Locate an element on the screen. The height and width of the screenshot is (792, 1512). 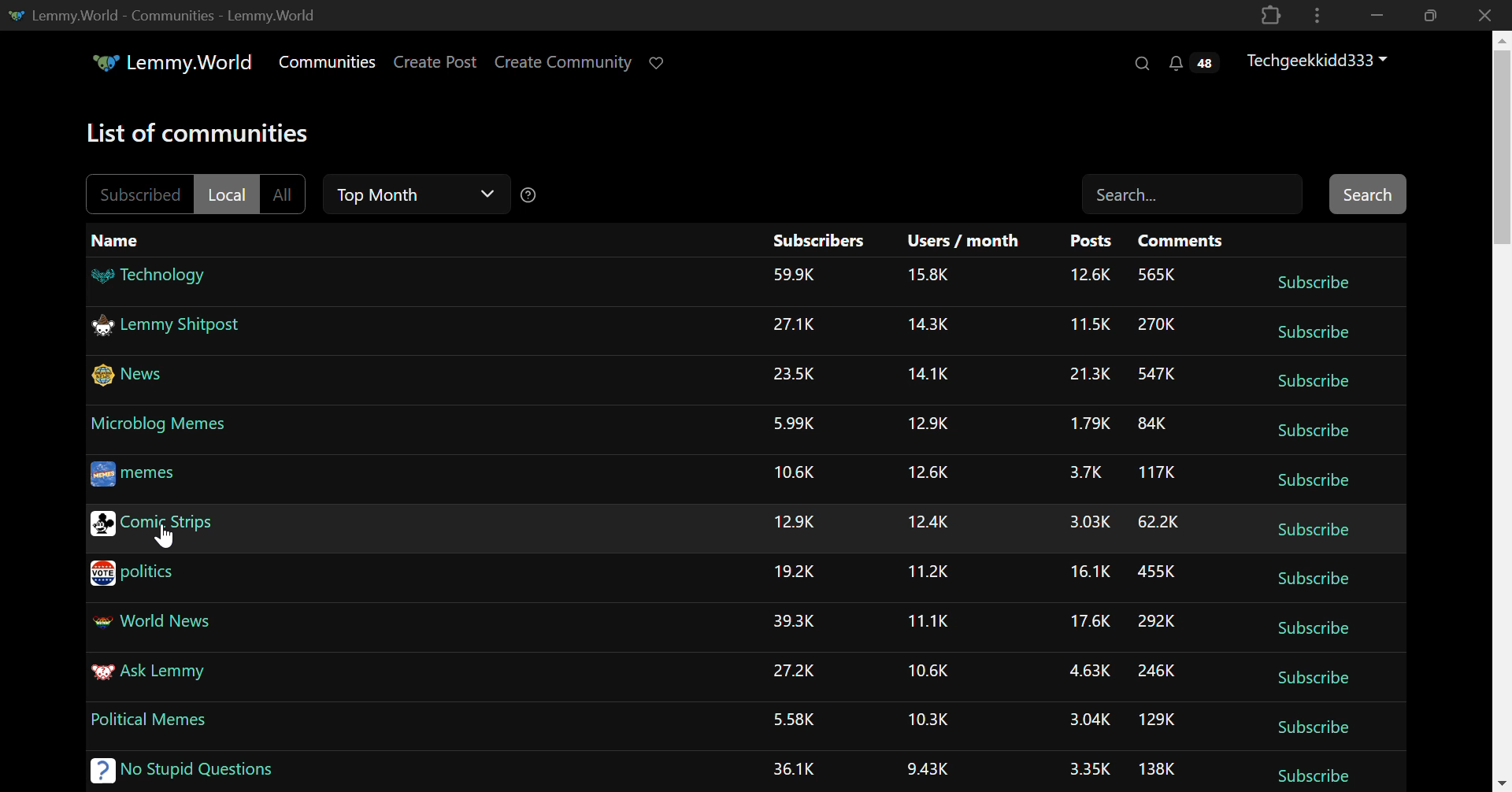
Subscribe is located at coordinates (1315, 479).